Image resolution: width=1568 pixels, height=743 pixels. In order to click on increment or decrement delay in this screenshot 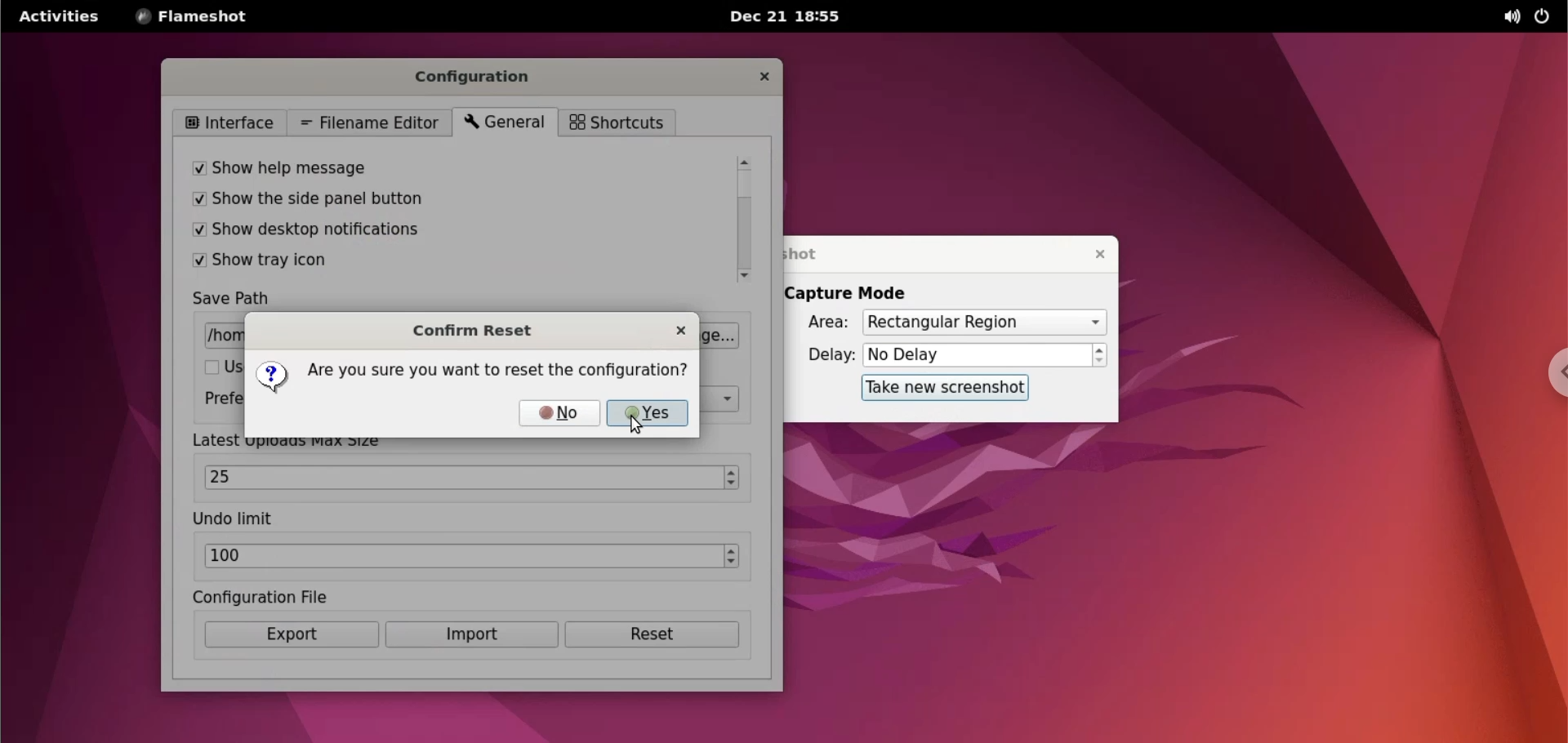, I will do `click(1100, 356)`.